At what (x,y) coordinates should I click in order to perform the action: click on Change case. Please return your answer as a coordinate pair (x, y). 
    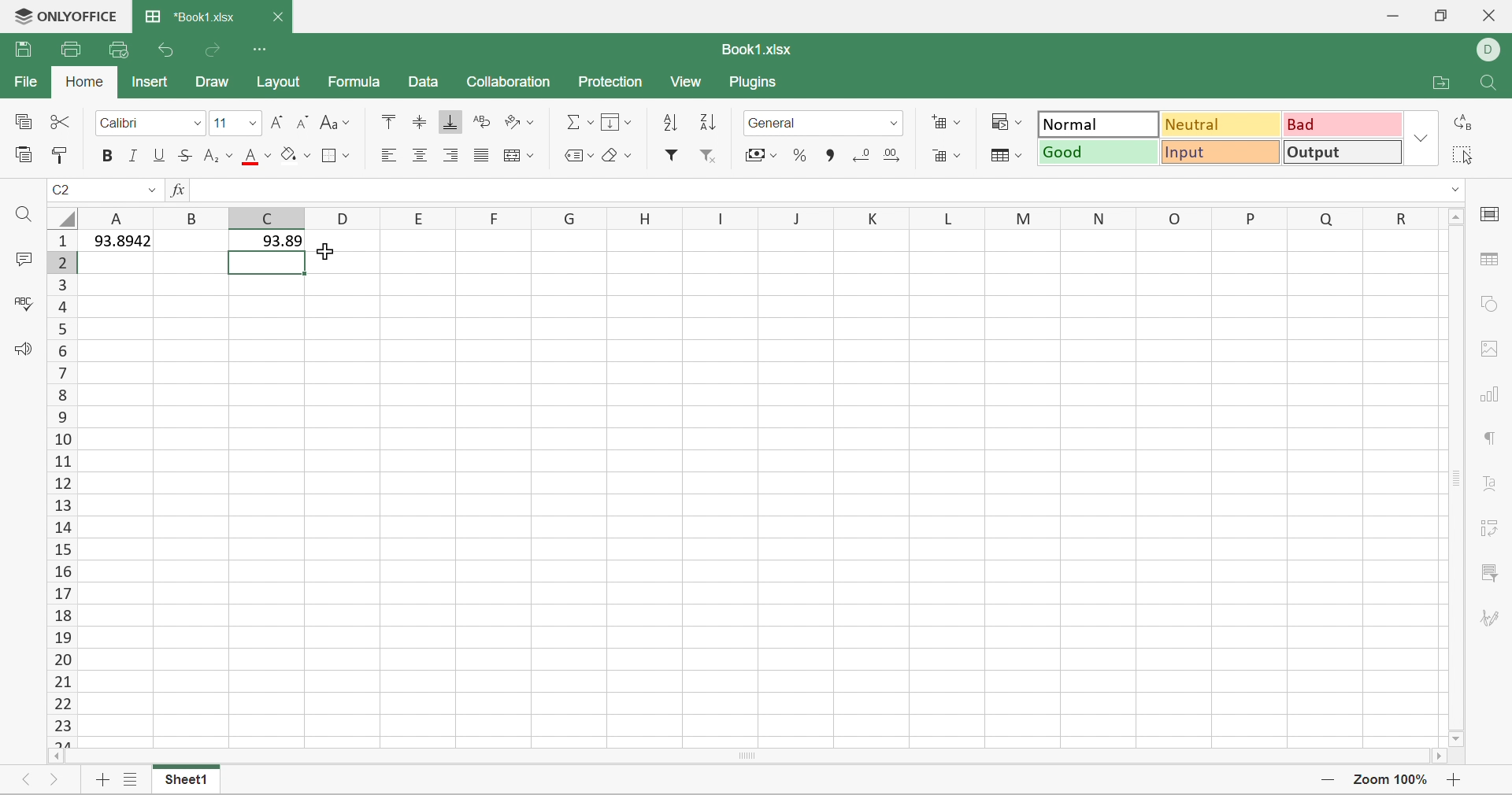
    Looking at the image, I should click on (332, 120).